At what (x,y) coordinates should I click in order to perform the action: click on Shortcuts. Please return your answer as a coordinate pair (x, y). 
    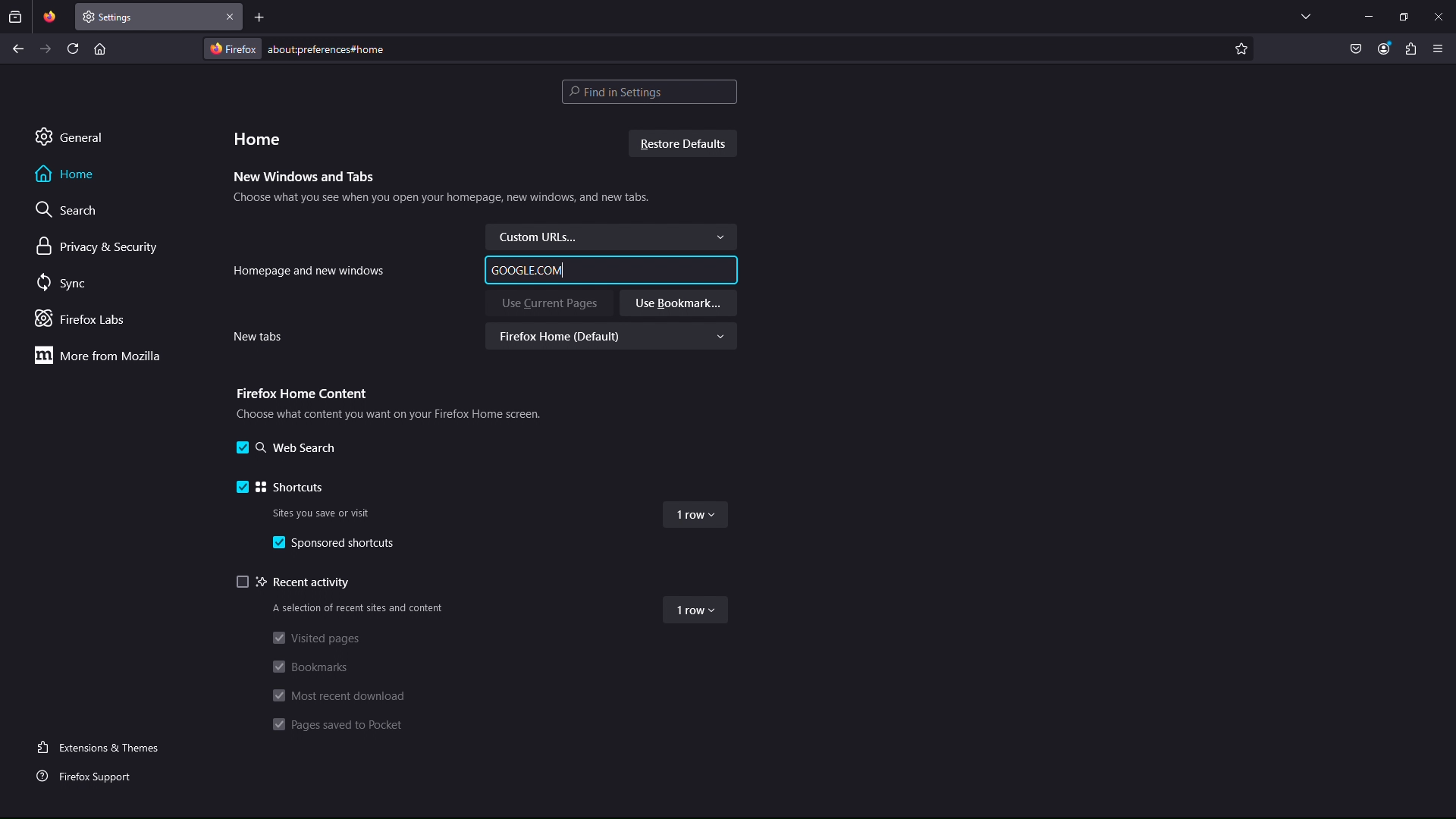
    Looking at the image, I should click on (281, 485).